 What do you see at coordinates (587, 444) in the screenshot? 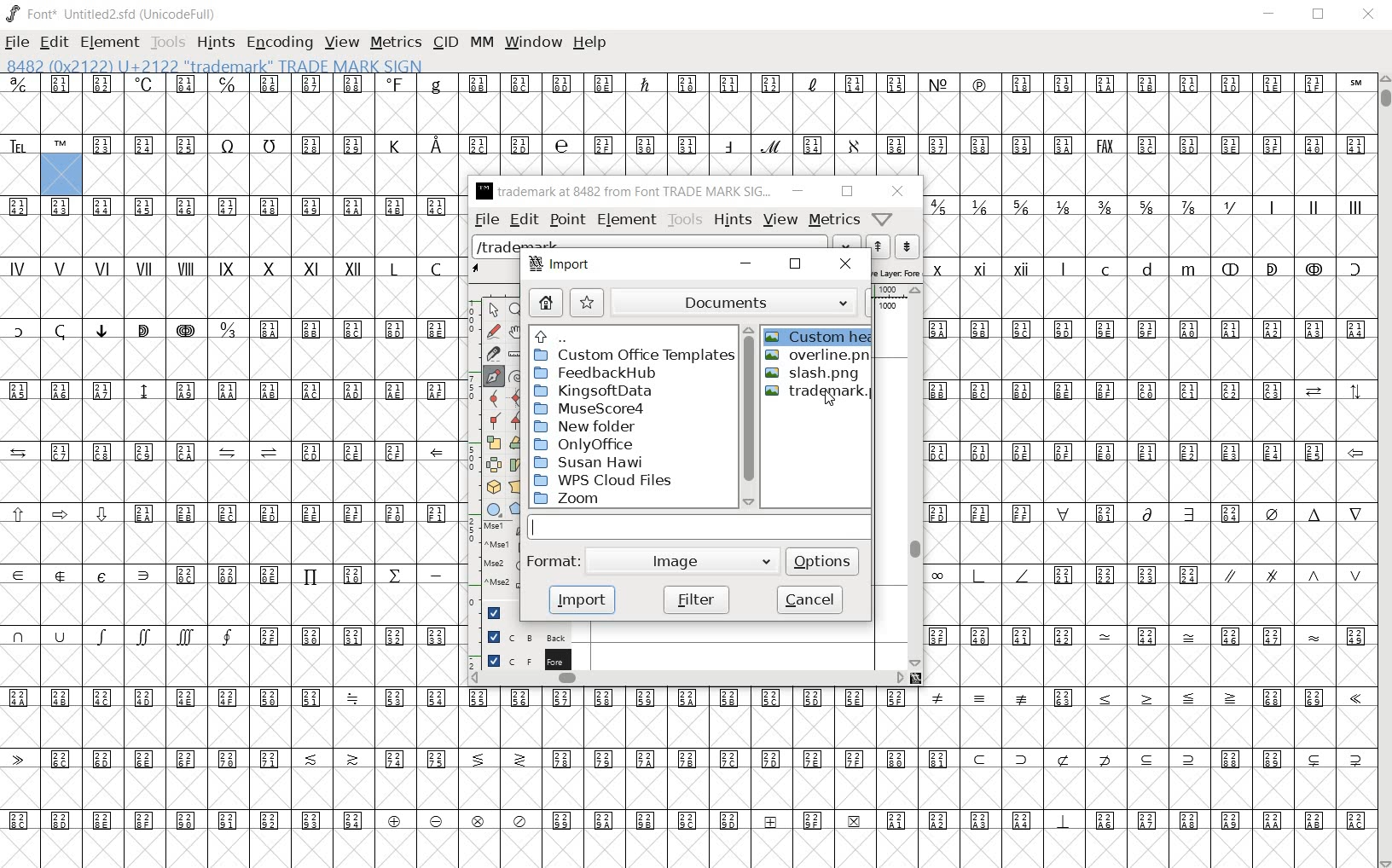
I see `Only Office` at bounding box center [587, 444].